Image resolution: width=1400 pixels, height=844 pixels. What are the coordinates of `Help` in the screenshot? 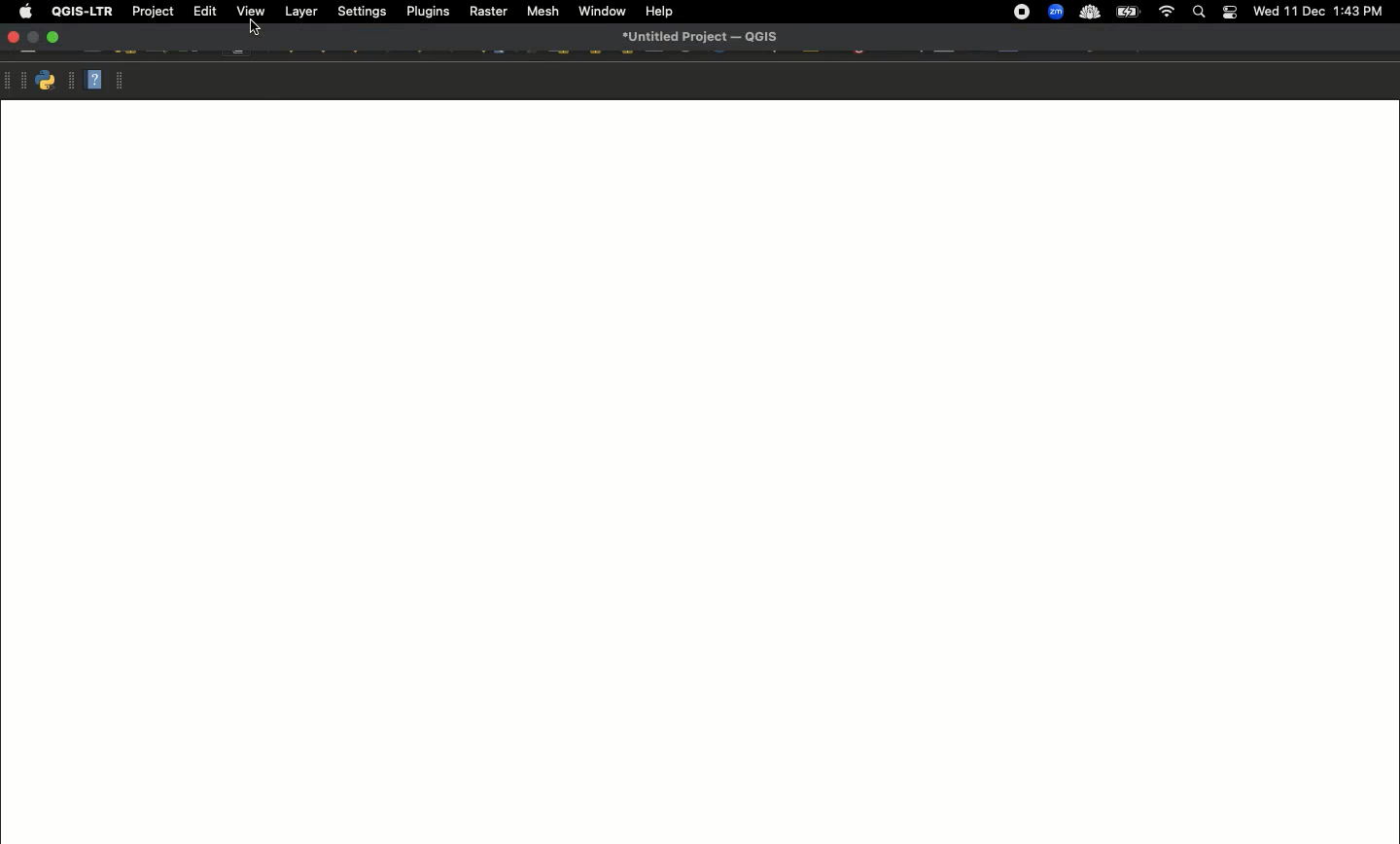 It's located at (93, 79).